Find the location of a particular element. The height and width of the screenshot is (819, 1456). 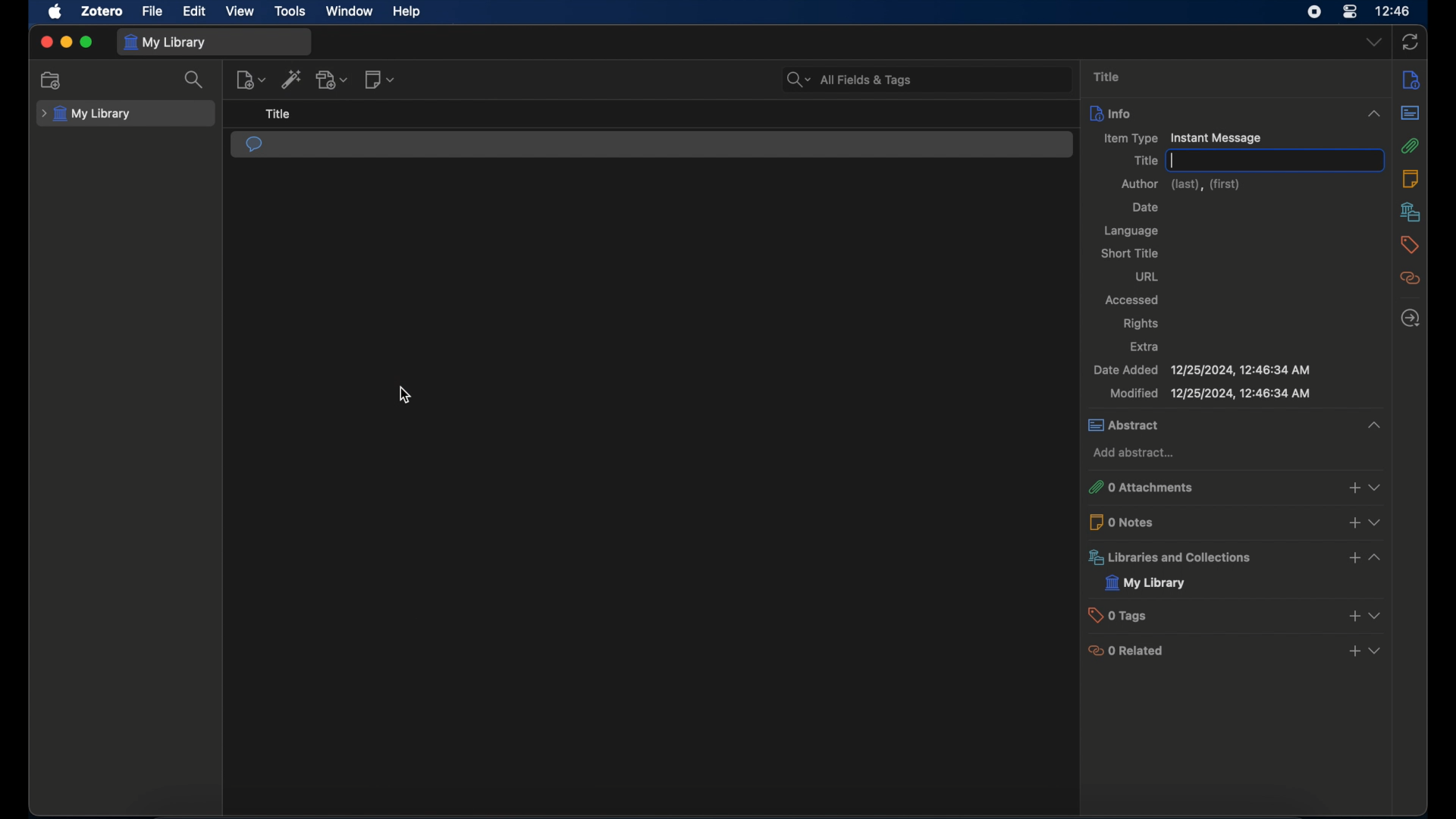

abstract is located at coordinates (1411, 114).